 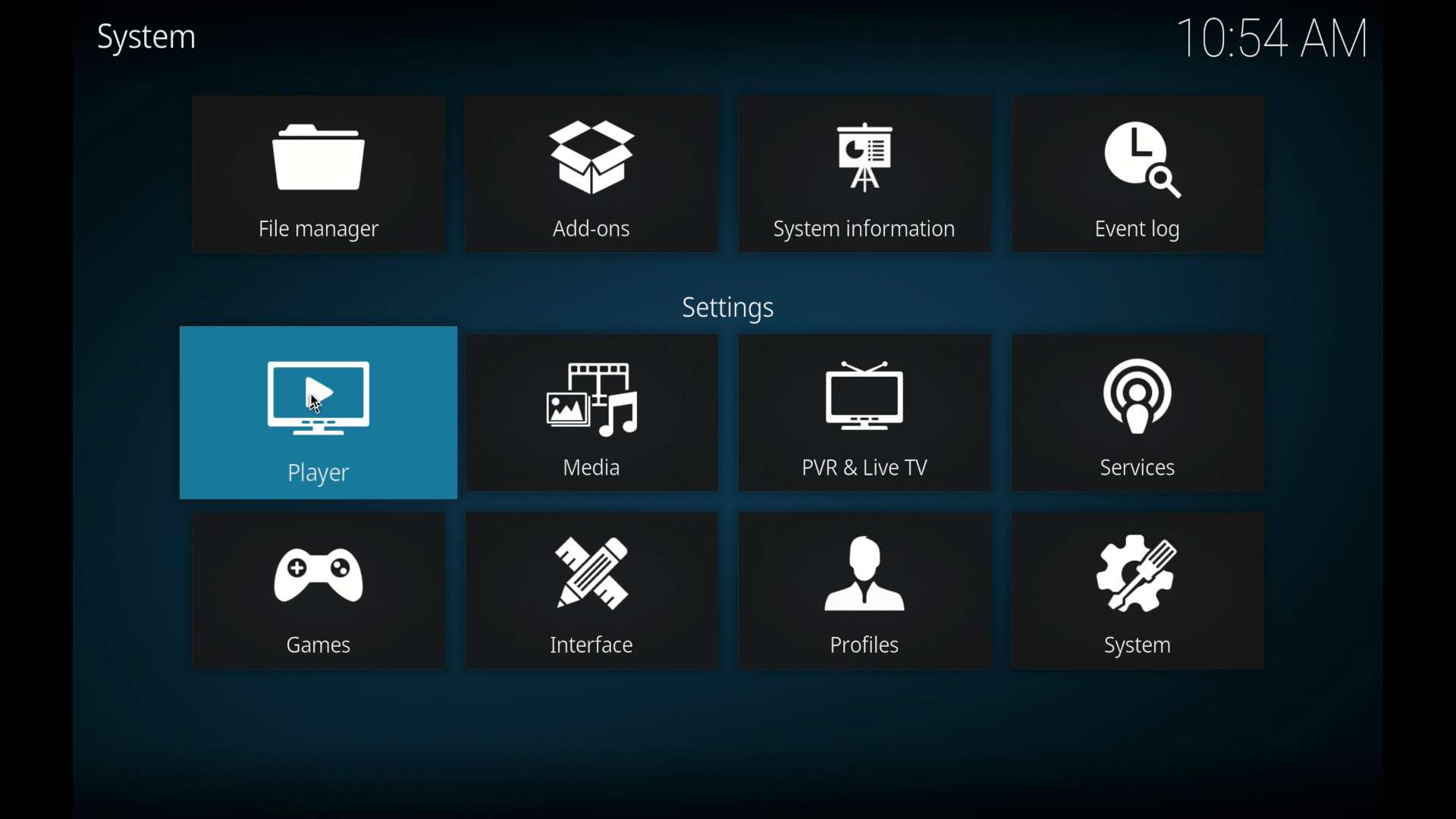 What do you see at coordinates (147, 39) in the screenshot?
I see `system` at bounding box center [147, 39].